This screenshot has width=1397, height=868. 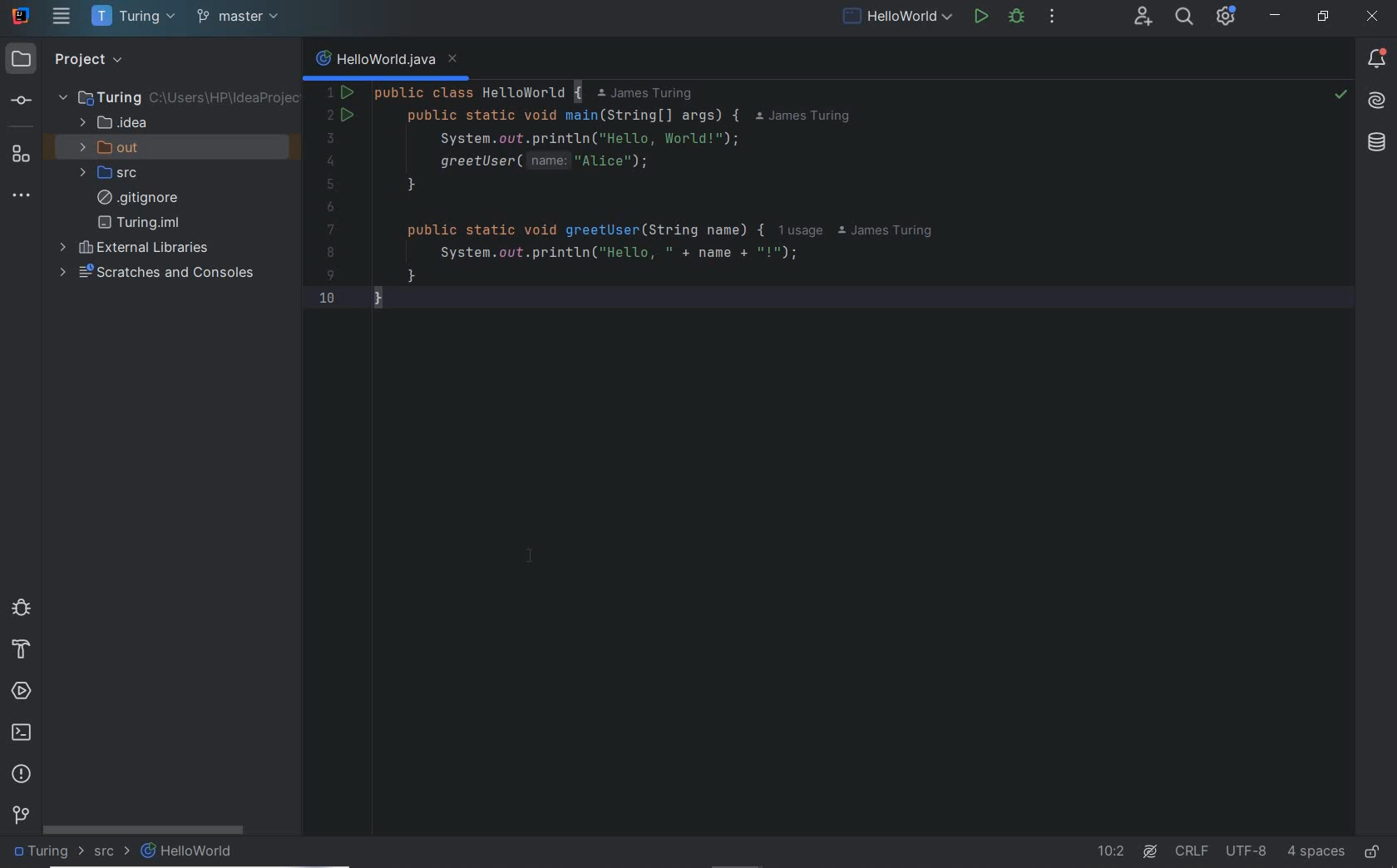 I want to click on src, so click(x=115, y=173).